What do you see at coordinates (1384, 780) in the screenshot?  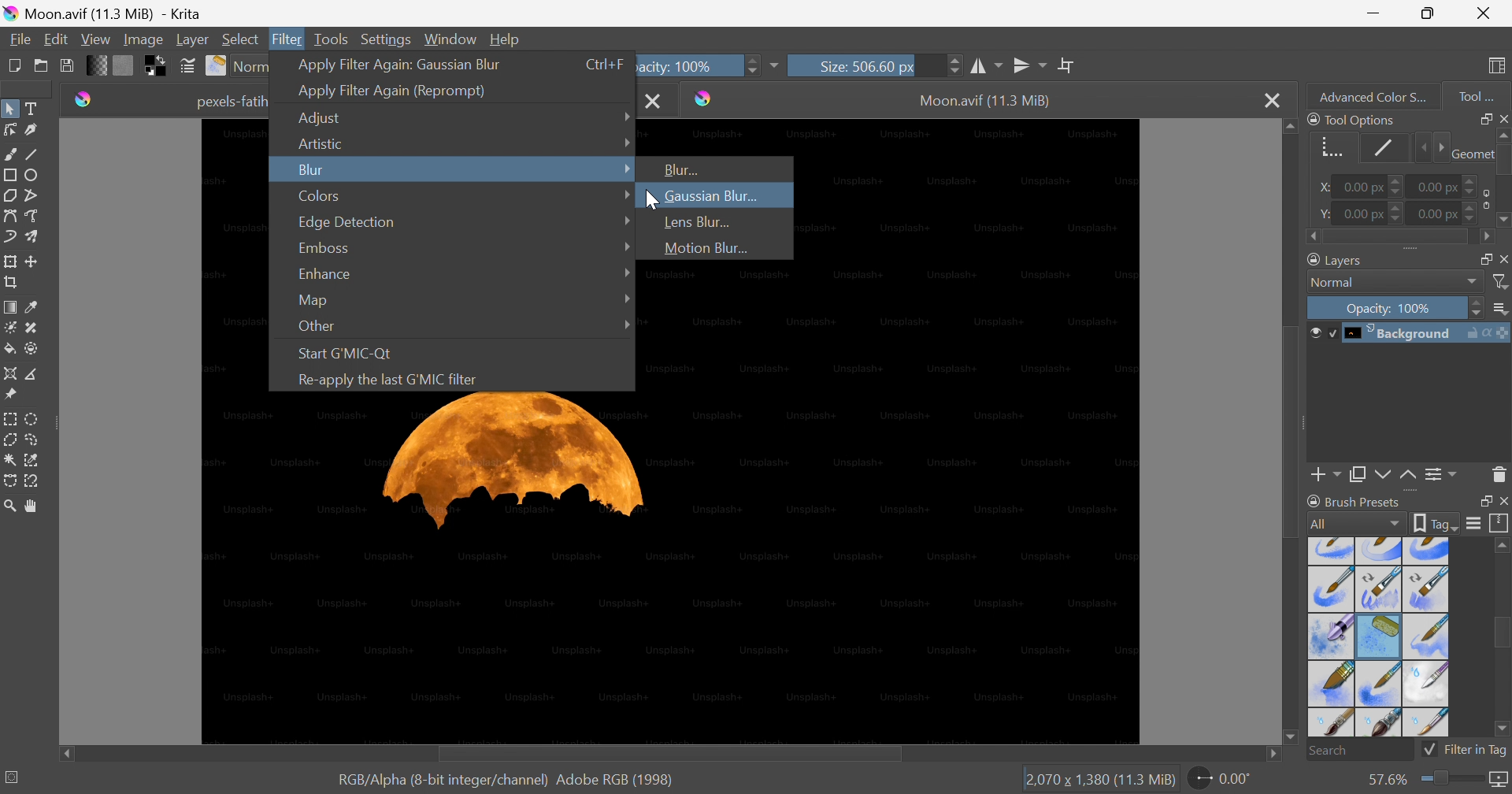 I see `57.6%` at bounding box center [1384, 780].